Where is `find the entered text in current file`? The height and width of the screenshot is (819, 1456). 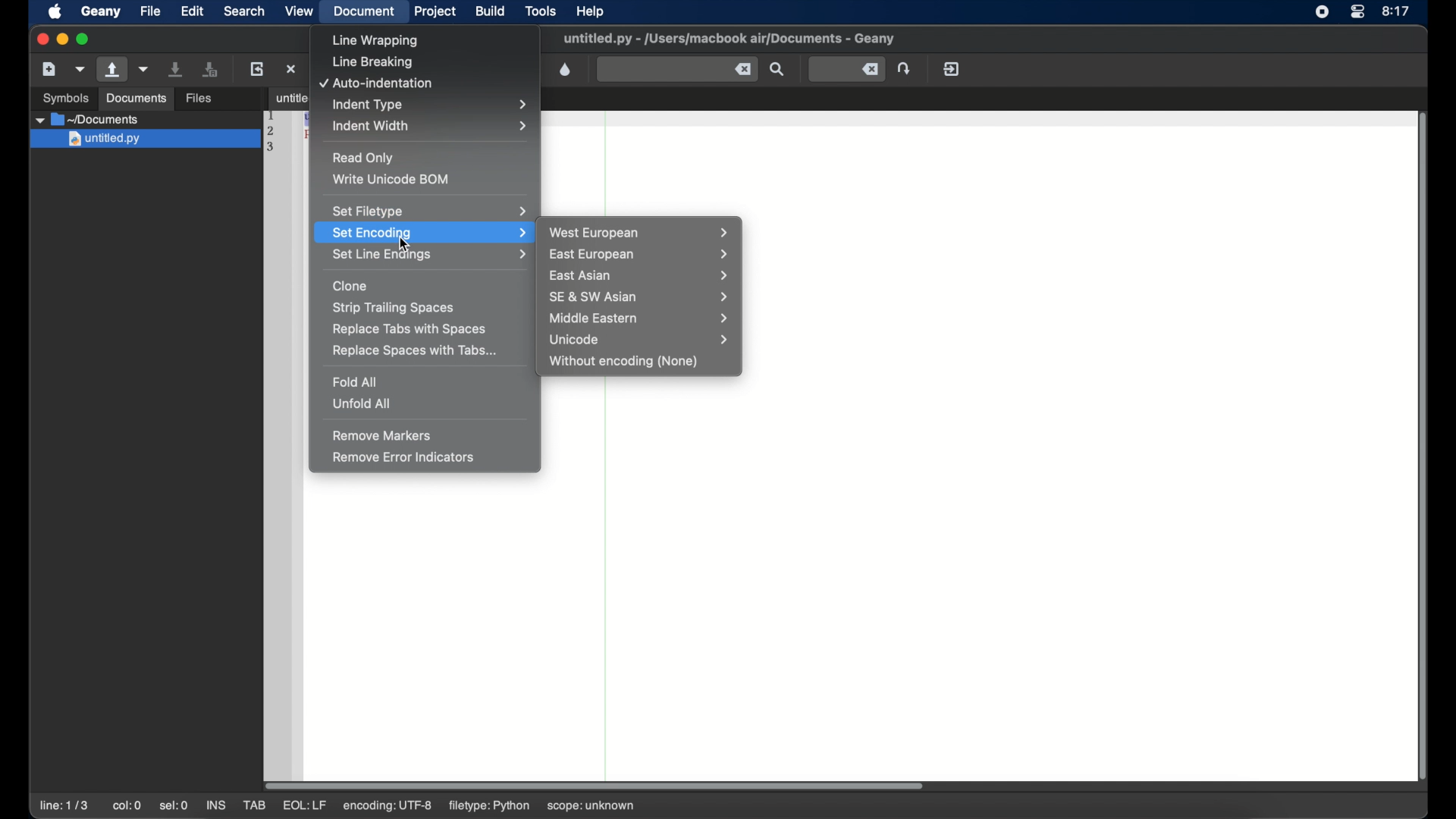
find the entered text in current file is located at coordinates (677, 70).